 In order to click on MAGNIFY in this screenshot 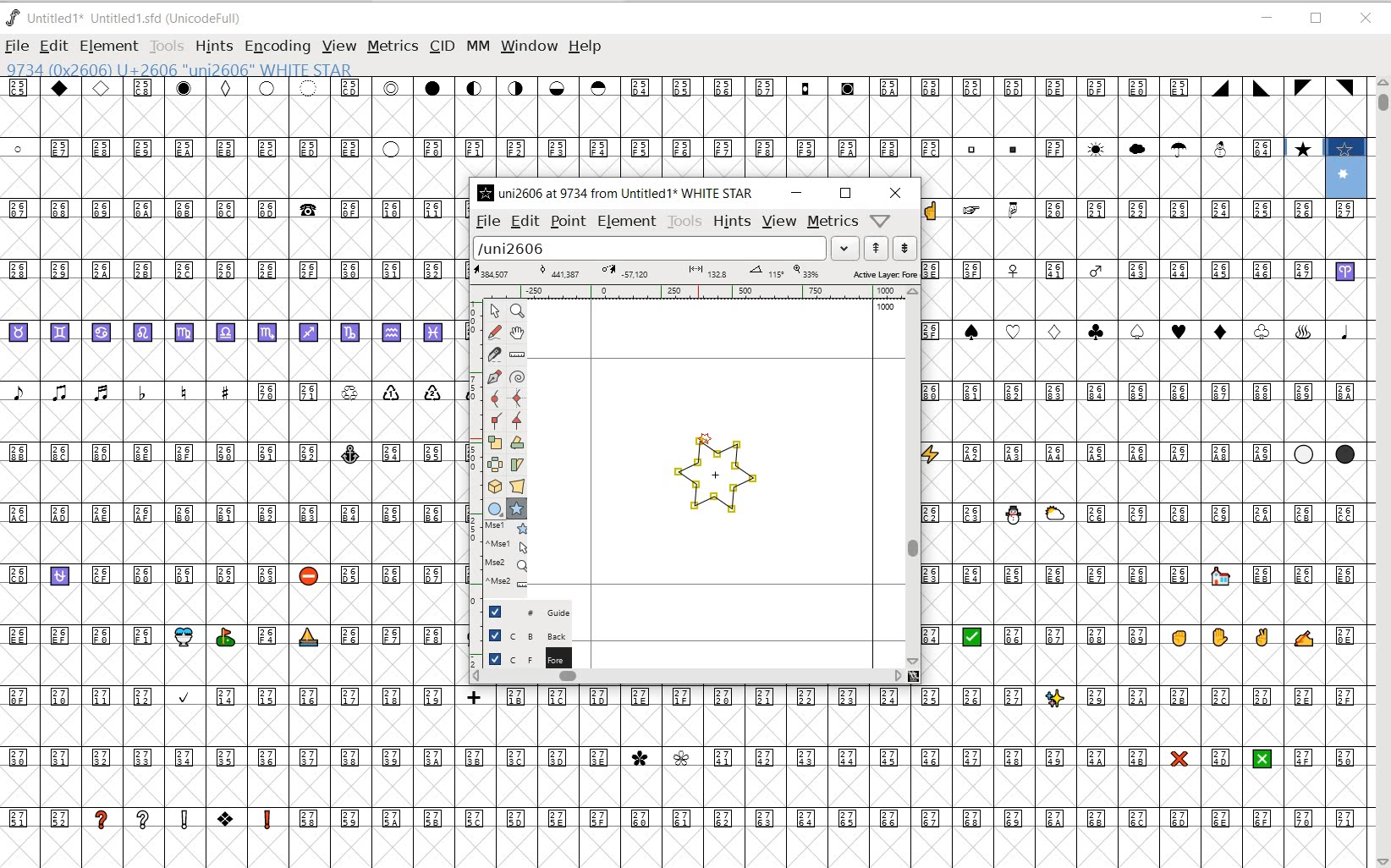, I will do `click(517, 312)`.